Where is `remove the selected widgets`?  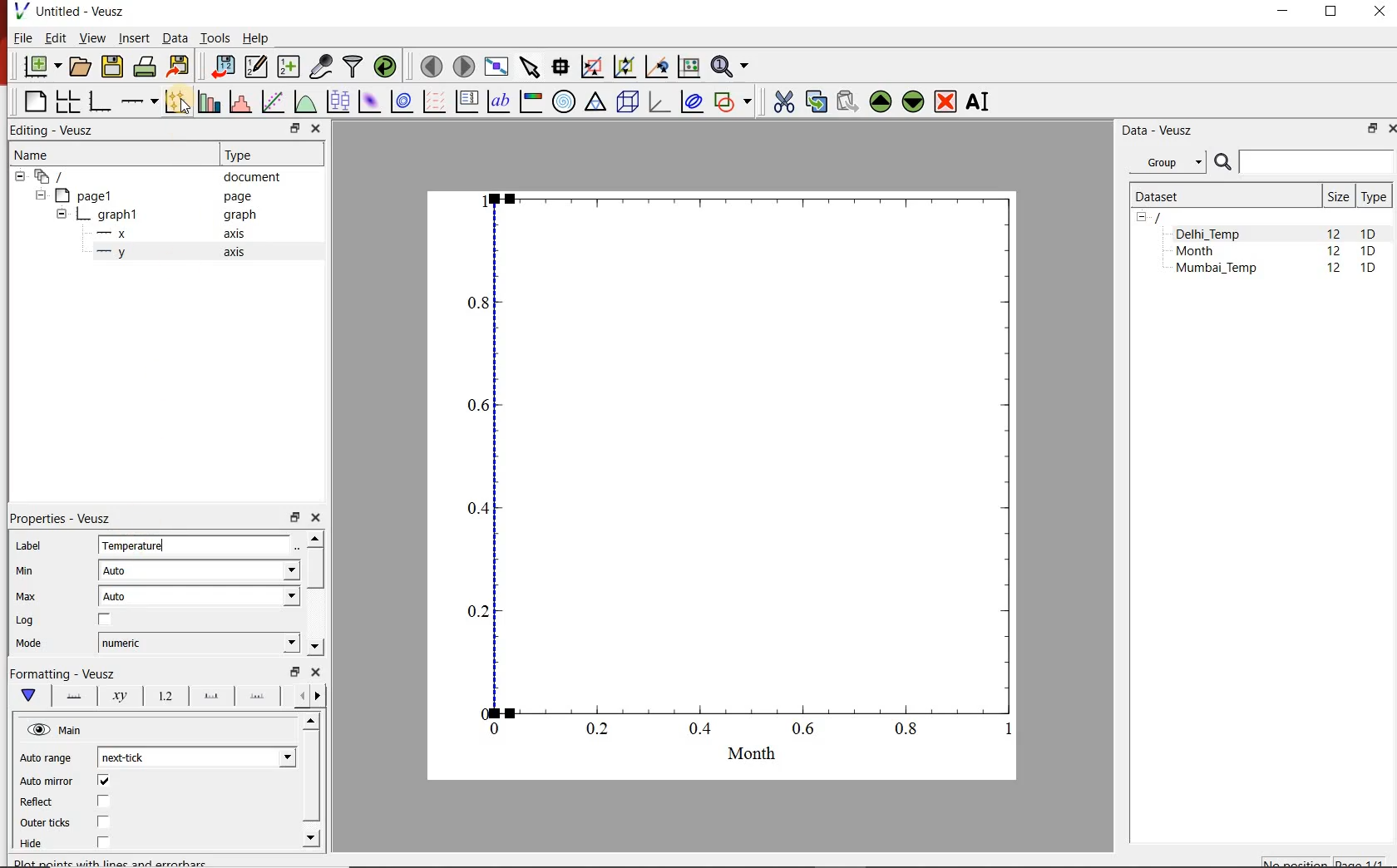 remove the selected widgets is located at coordinates (946, 101).